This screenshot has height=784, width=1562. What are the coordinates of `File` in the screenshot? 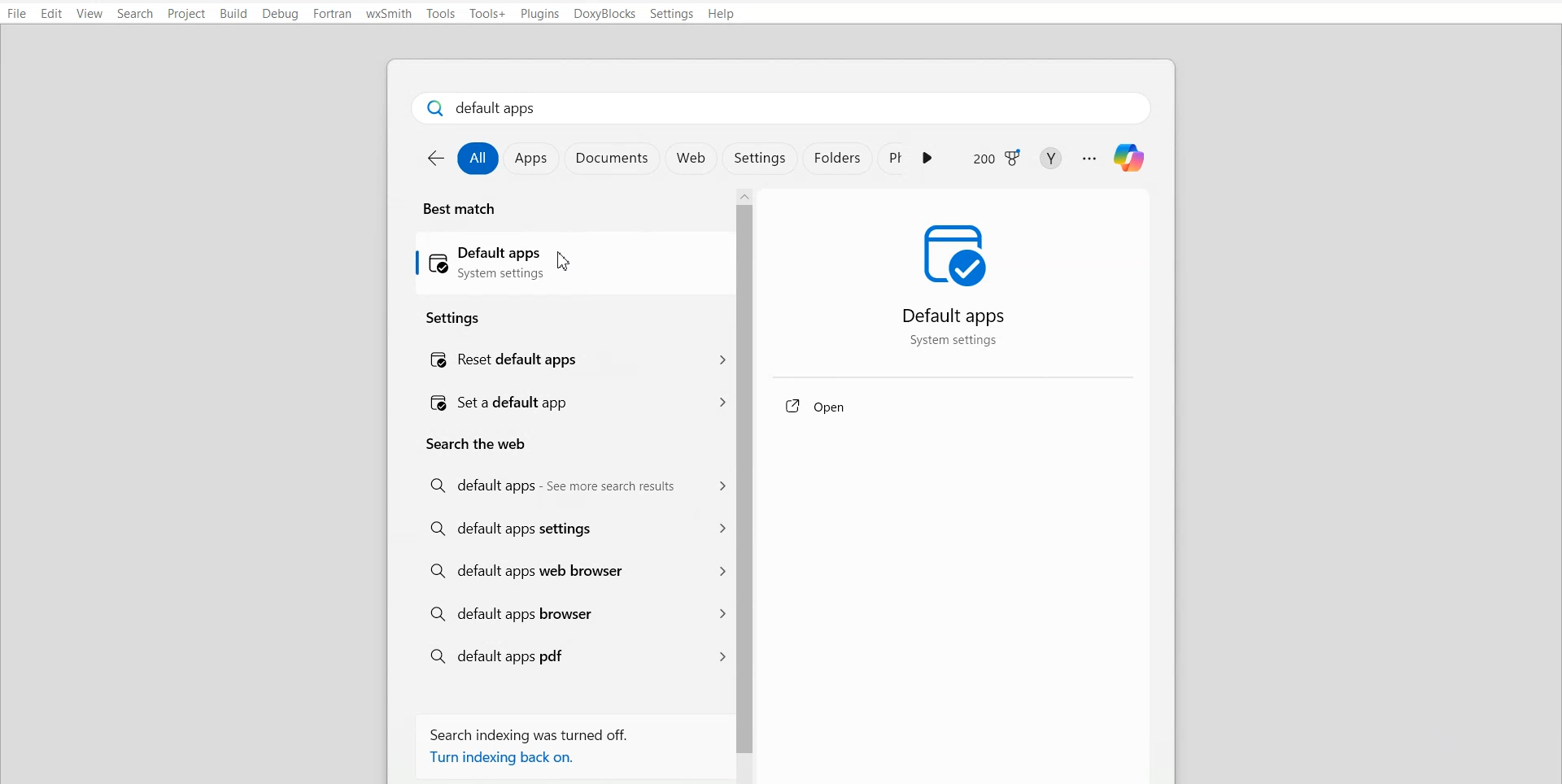 It's located at (17, 13).